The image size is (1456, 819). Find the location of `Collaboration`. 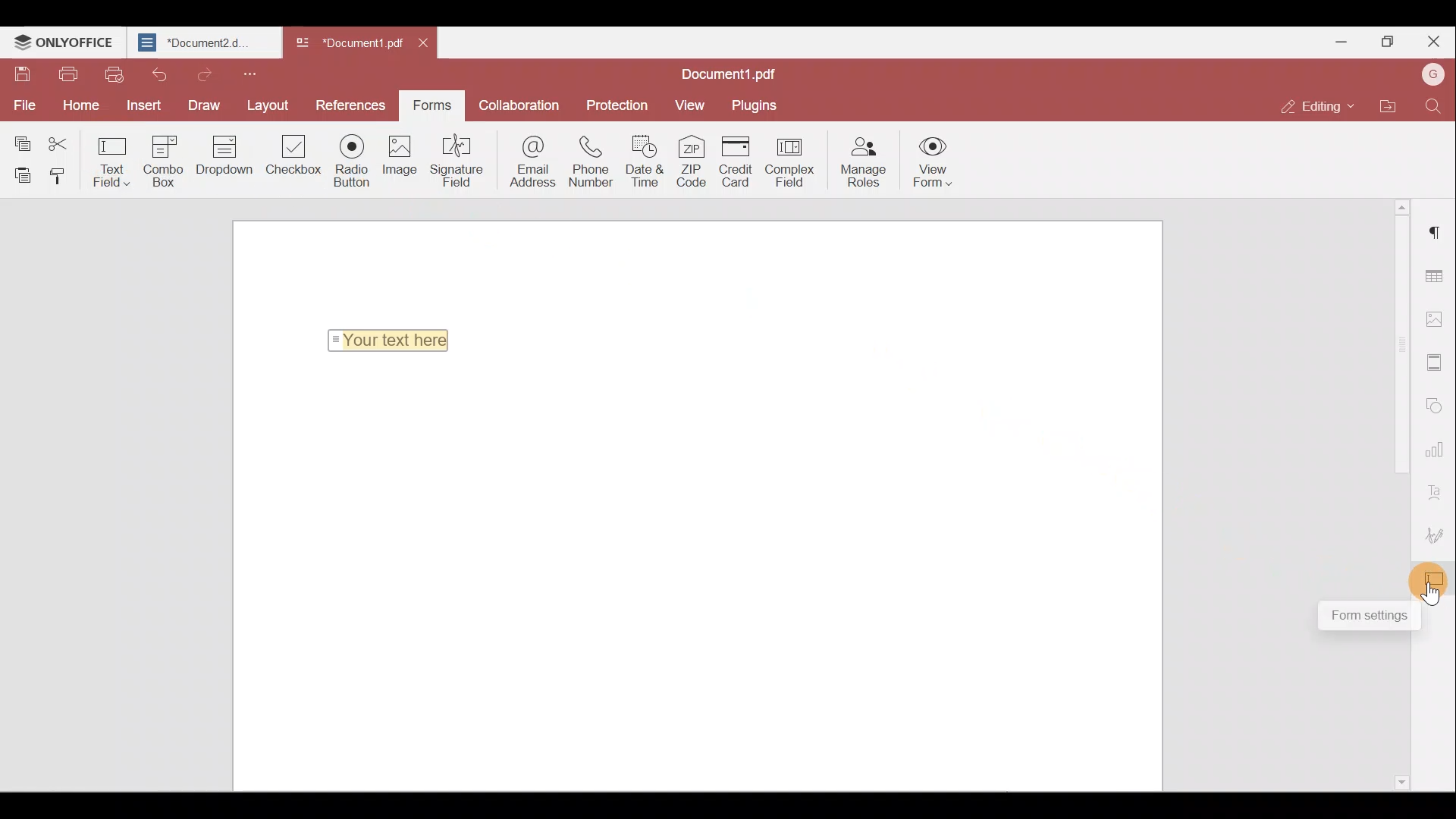

Collaboration is located at coordinates (524, 104).